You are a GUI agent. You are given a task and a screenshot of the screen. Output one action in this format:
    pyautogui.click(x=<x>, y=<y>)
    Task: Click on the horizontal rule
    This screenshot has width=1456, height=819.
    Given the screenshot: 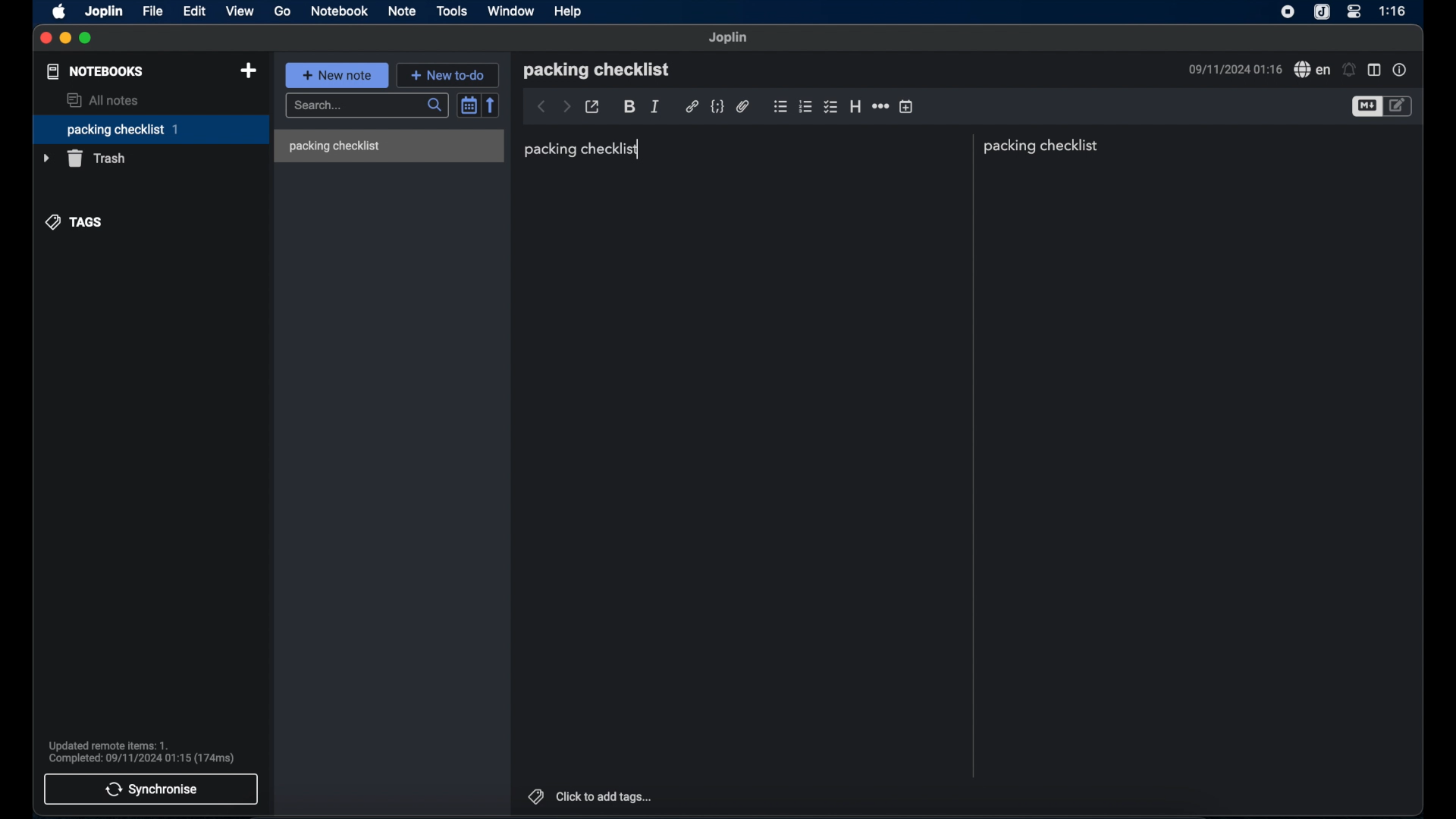 What is the action you would take?
    pyautogui.click(x=880, y=107)
    